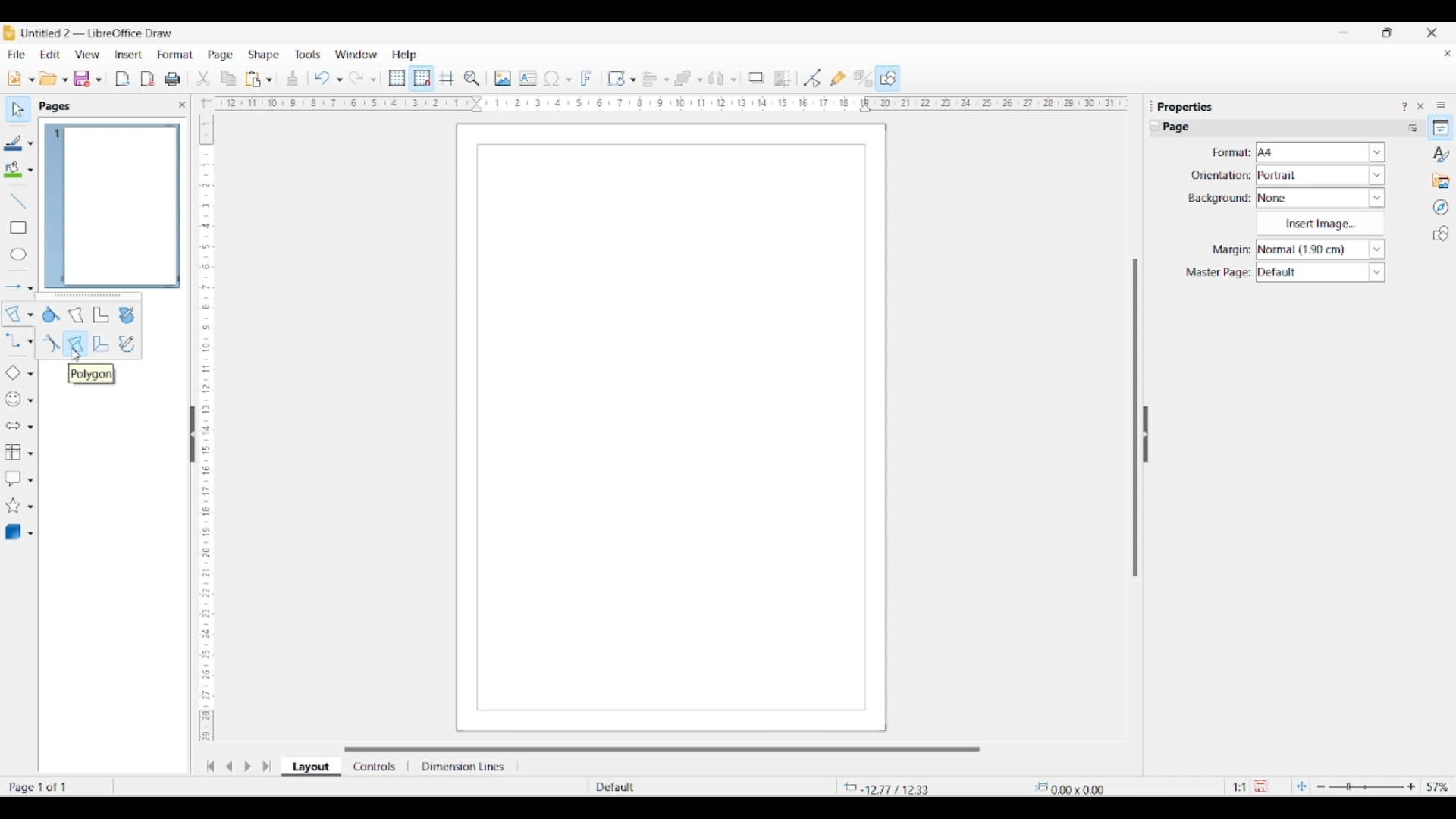  What do you see at coordinates (1321, 198) in the screenshot?
I see `Background options` at bounding box center [1321, 198].